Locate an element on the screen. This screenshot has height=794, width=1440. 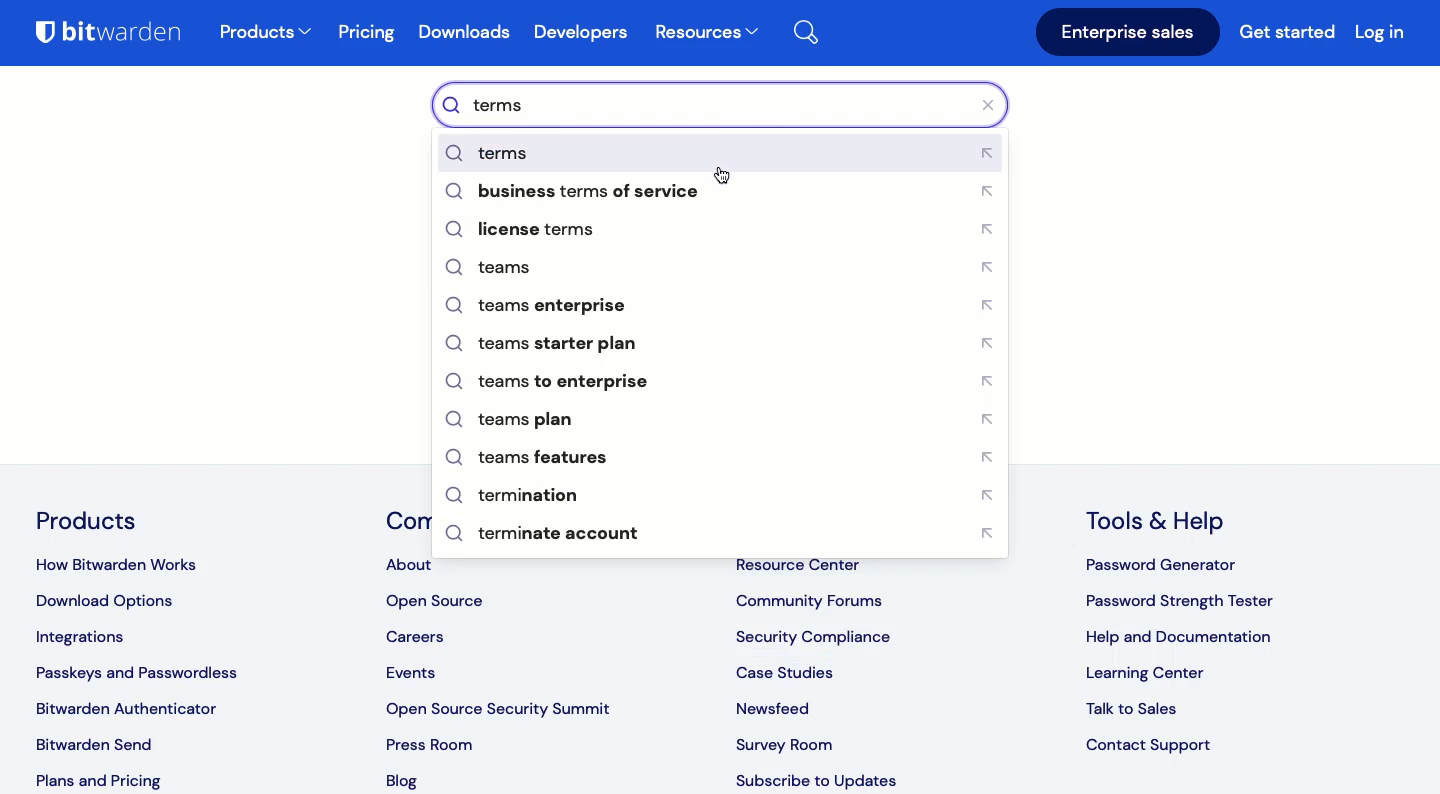
passkeys and passwords is located at coordinates (140, 673).